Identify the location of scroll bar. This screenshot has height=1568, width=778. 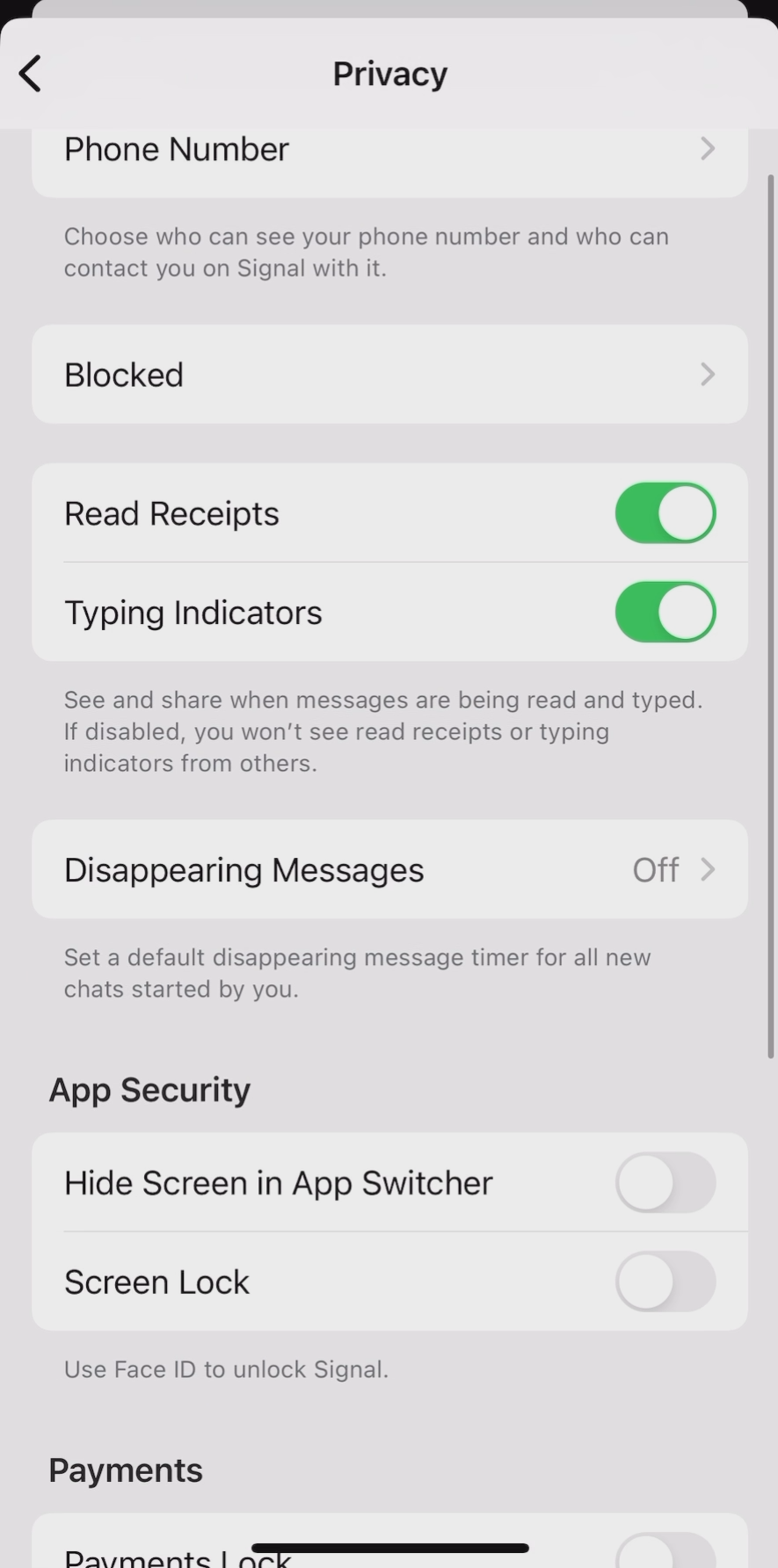
(772, 615).